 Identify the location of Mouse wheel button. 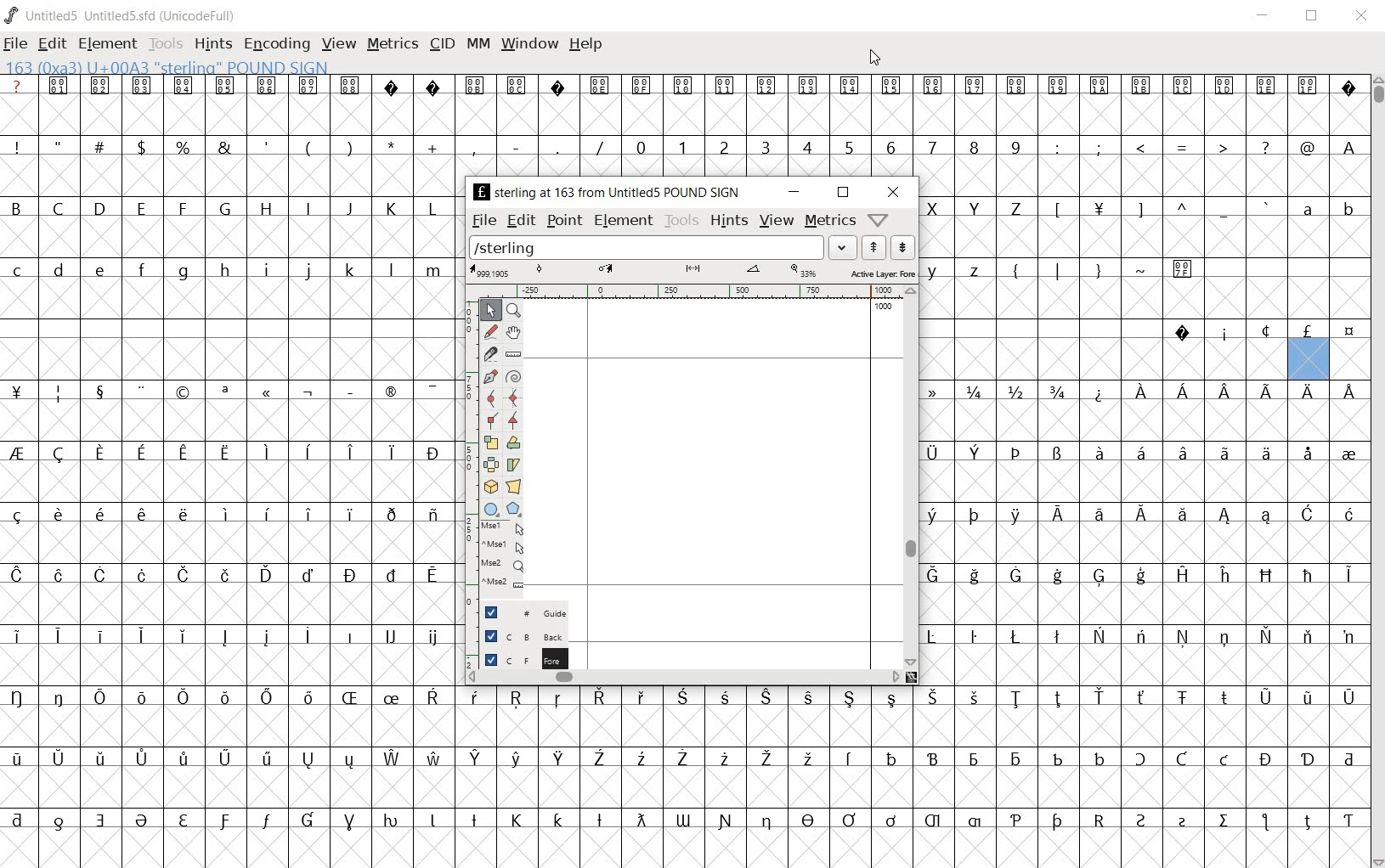
(506, 565).